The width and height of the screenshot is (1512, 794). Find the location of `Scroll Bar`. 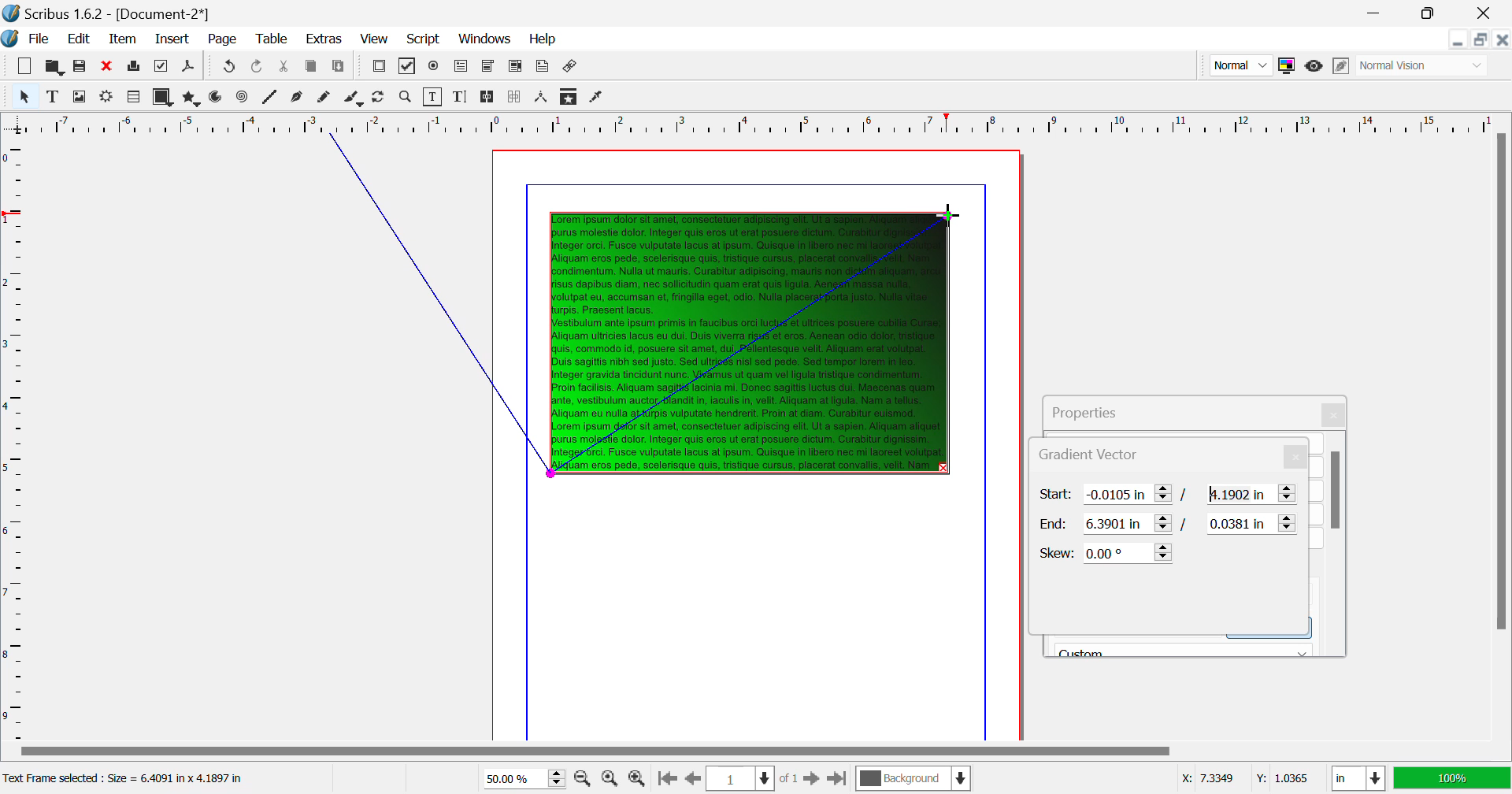

Scroll Bar is located at coordinates (1502, 435).